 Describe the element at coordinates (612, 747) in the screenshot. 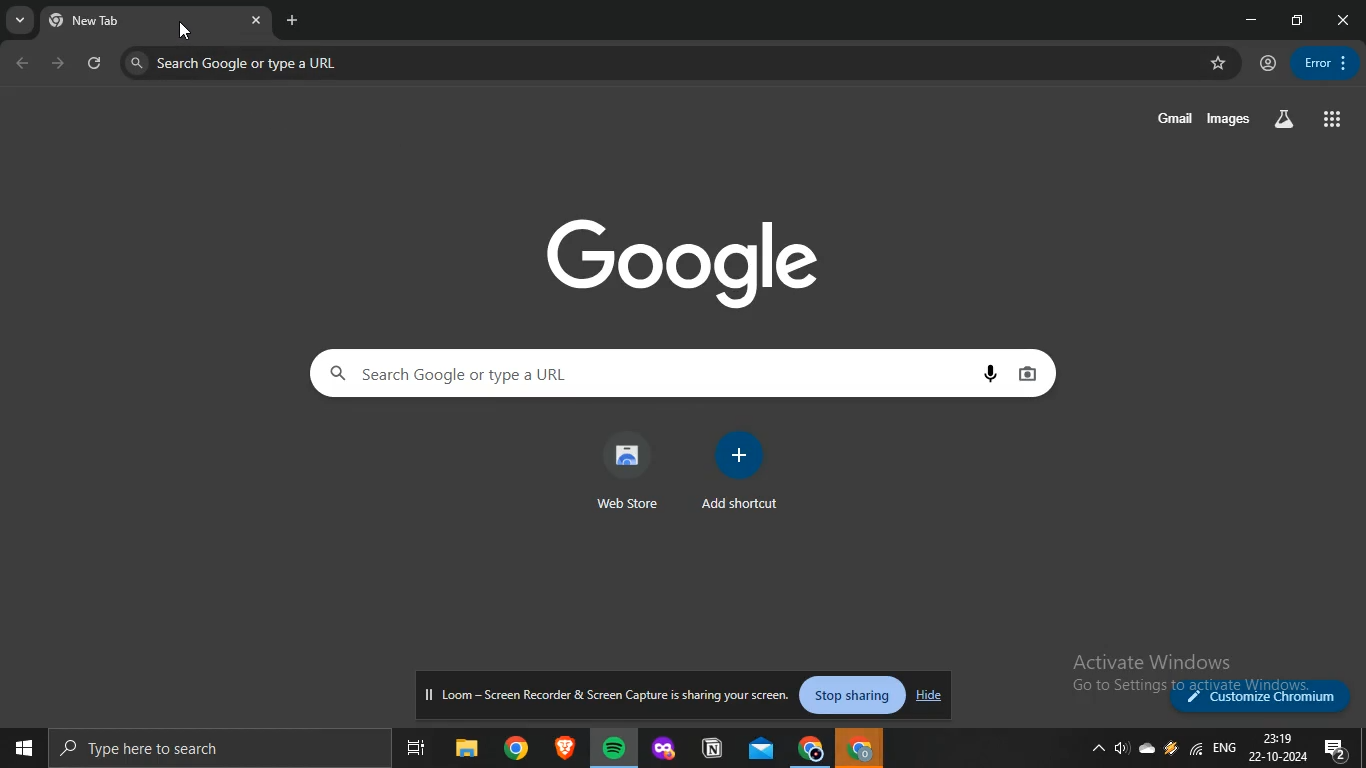

I see `spotify` at that location.